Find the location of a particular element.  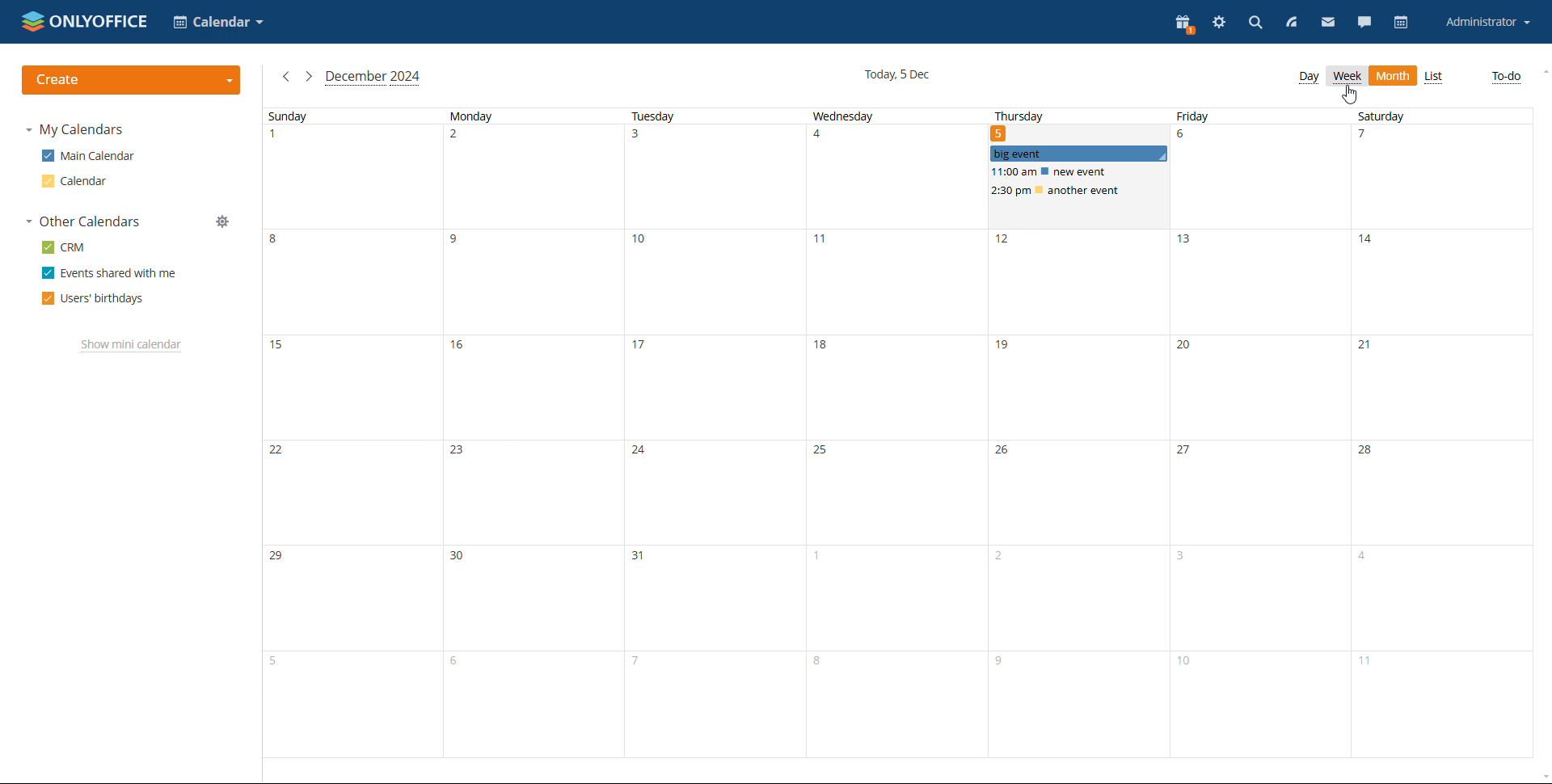

talk is located at coordinates (1365, 21).